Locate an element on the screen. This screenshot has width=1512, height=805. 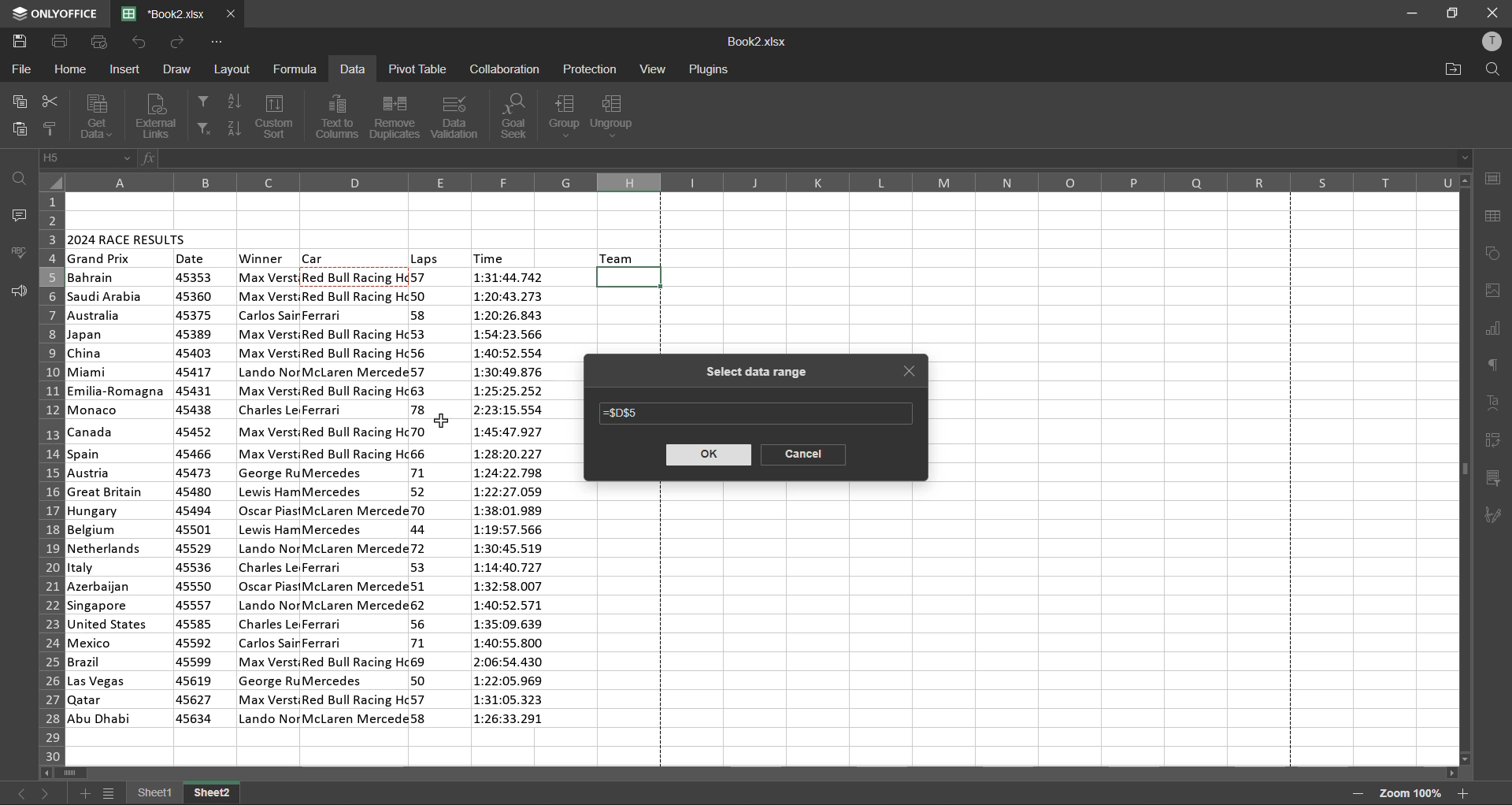
feedback is located at coordinates (17, 291).